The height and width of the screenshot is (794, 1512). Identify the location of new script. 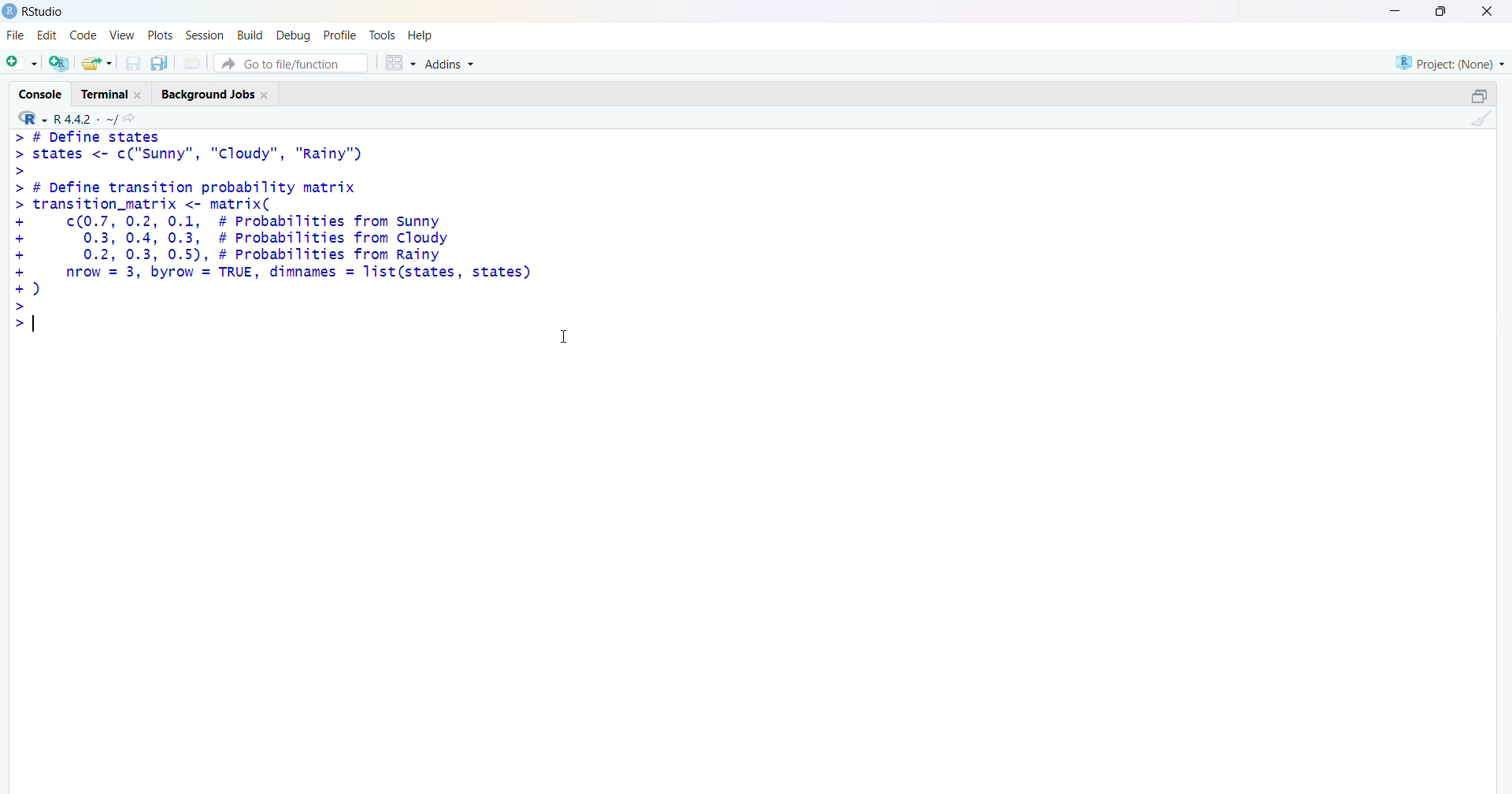
(21, 62).